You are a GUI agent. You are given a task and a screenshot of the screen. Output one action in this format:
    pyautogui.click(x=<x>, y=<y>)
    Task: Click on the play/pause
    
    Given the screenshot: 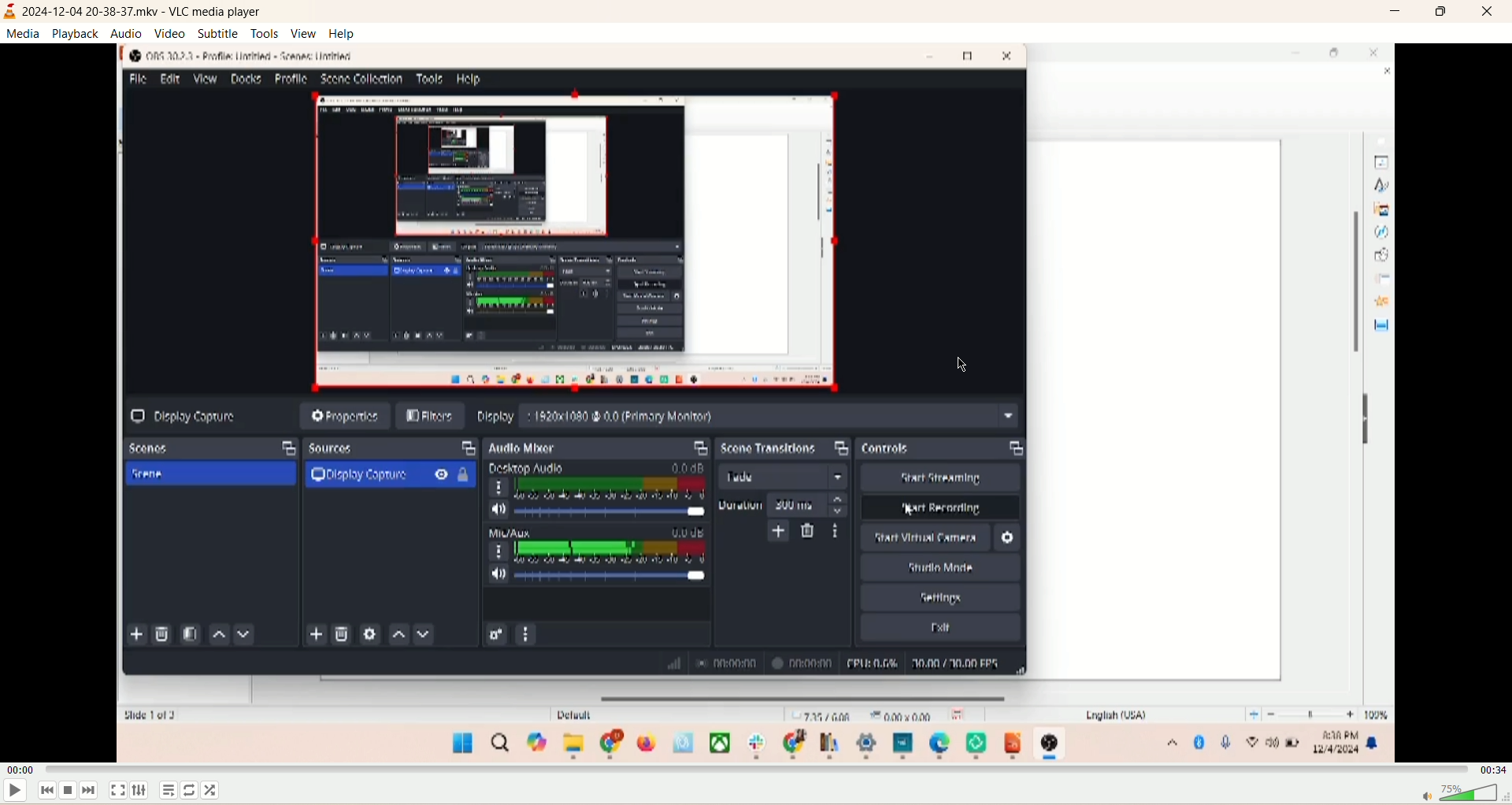 What is the action you would take?
    pyautogui.click(x=14, y=793)
    